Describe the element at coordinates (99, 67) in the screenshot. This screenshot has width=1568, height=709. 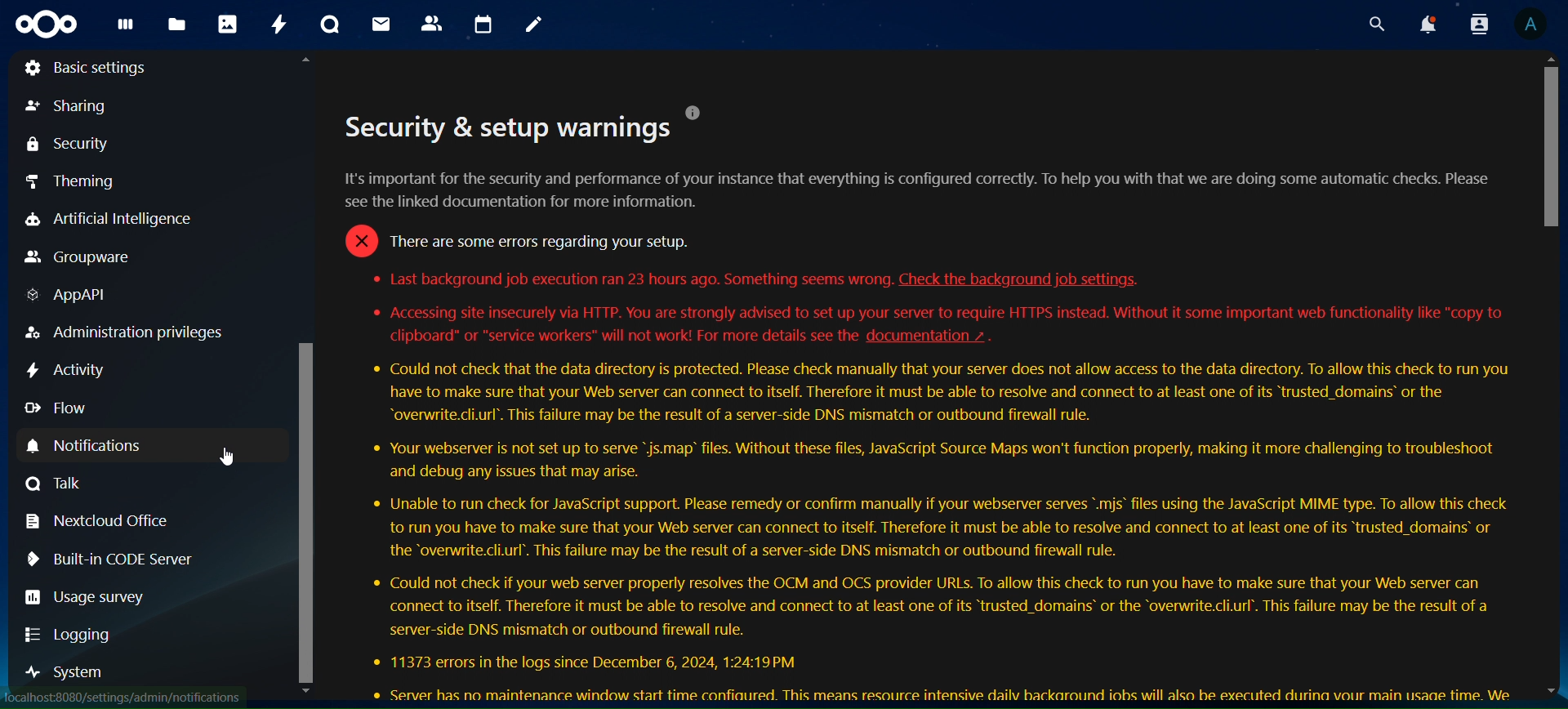
I see `basic settings` at that location.